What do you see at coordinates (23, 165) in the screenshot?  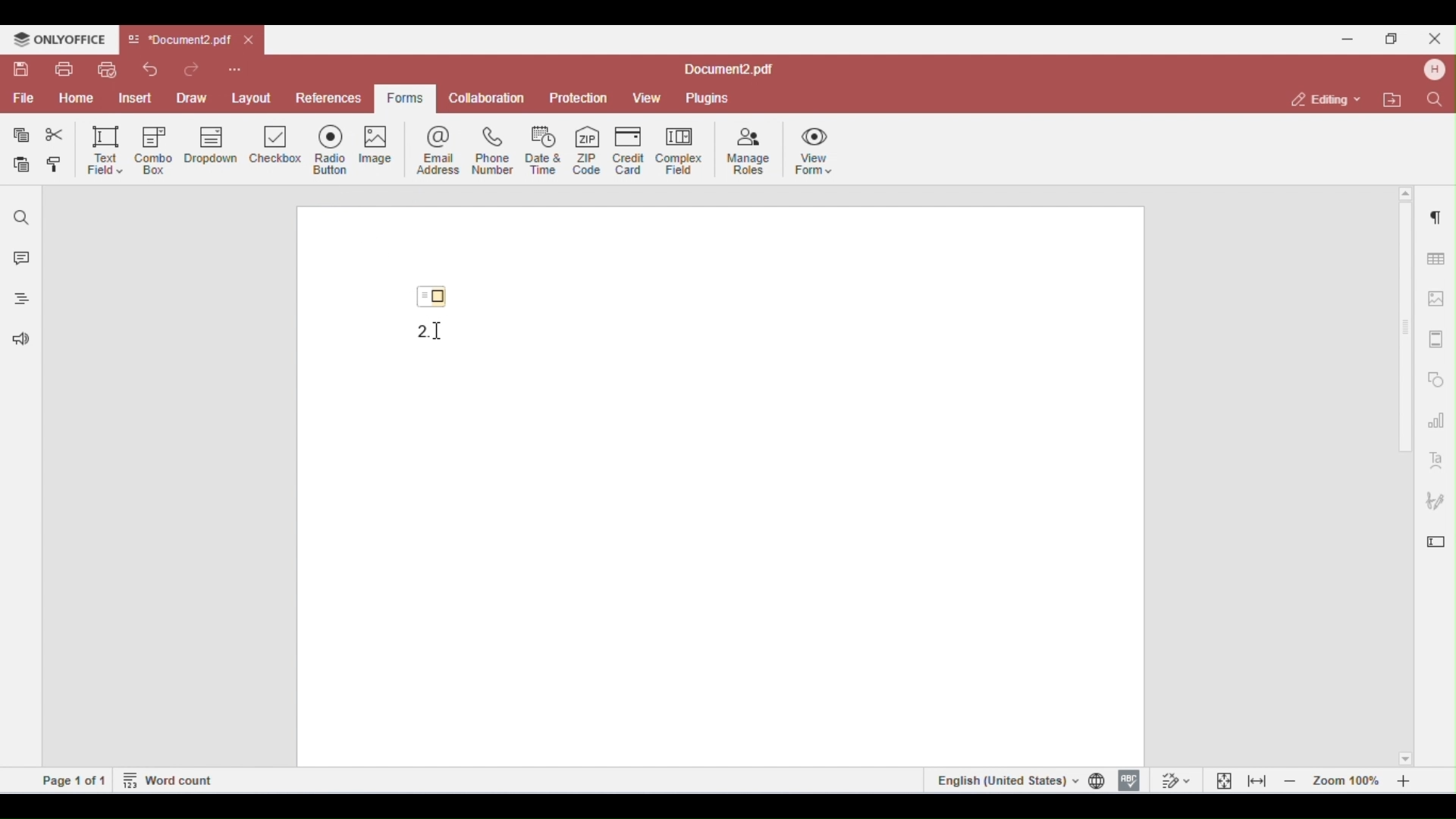 I see `paste` at bounding box center [23, 165].